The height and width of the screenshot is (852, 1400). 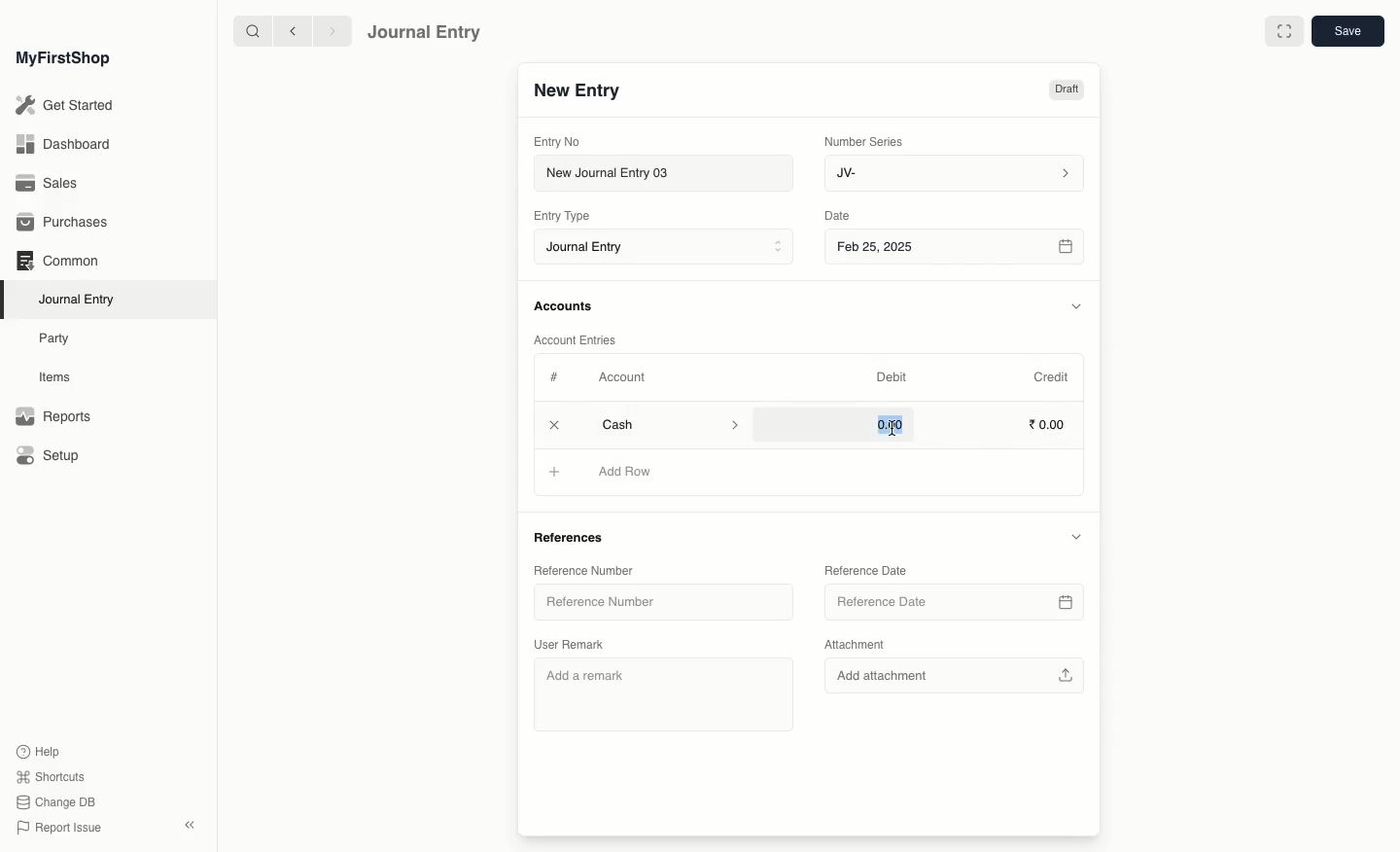 What do you see at coordinates (288, 31) in the screenshot?
I see `backward <` at bounding box center [288, 31].